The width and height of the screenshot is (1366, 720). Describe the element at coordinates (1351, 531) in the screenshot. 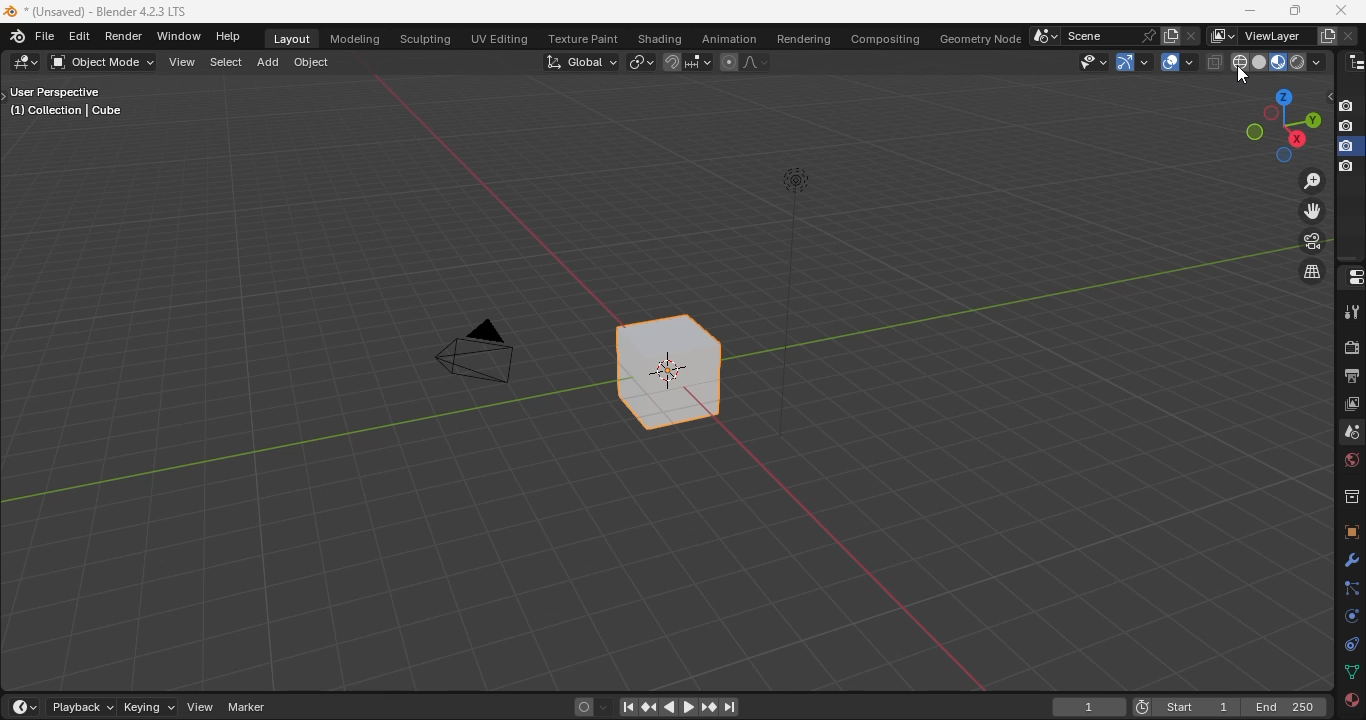

I see `Full screen` at that location.